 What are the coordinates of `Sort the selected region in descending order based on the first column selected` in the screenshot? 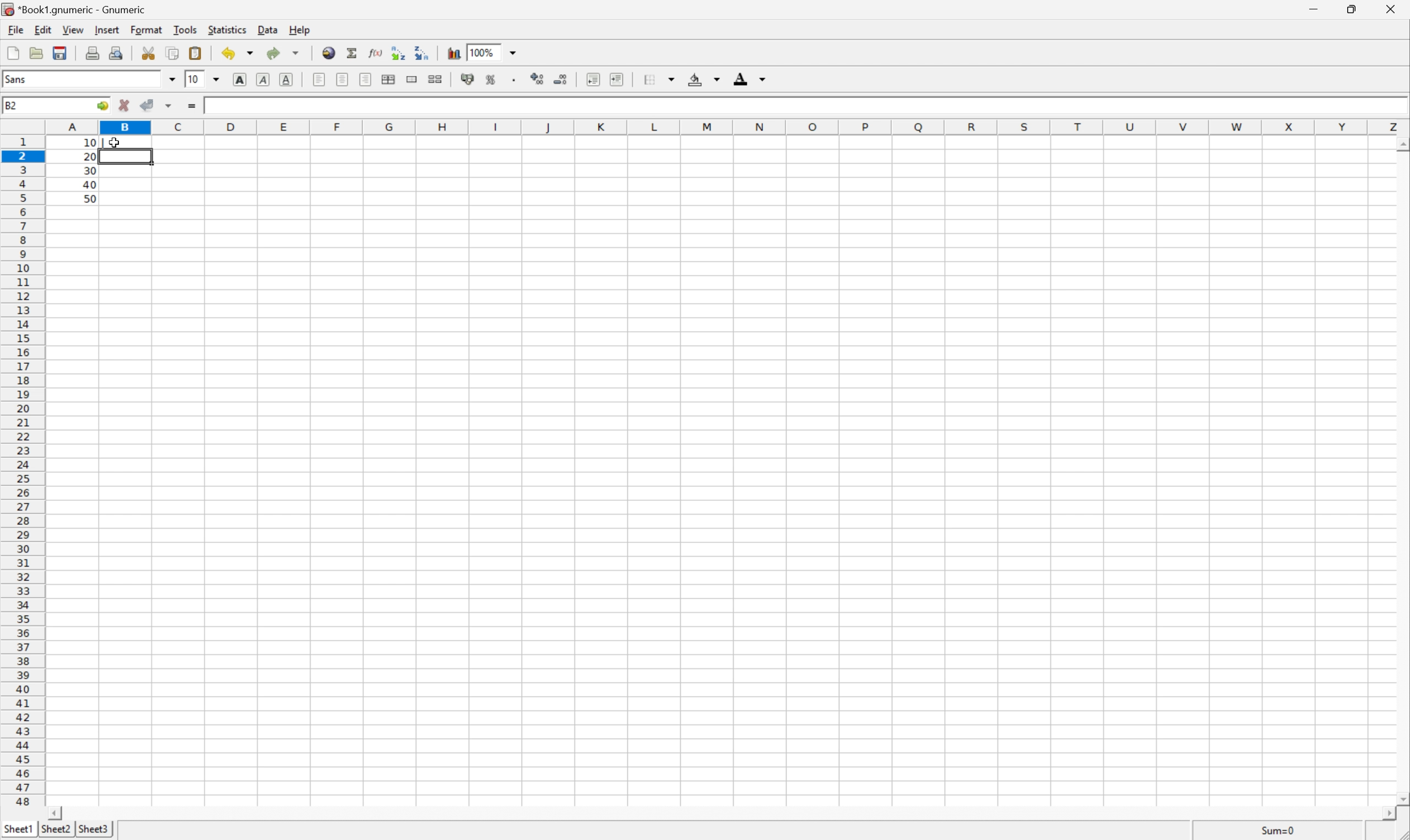 It's located at (422, 52).